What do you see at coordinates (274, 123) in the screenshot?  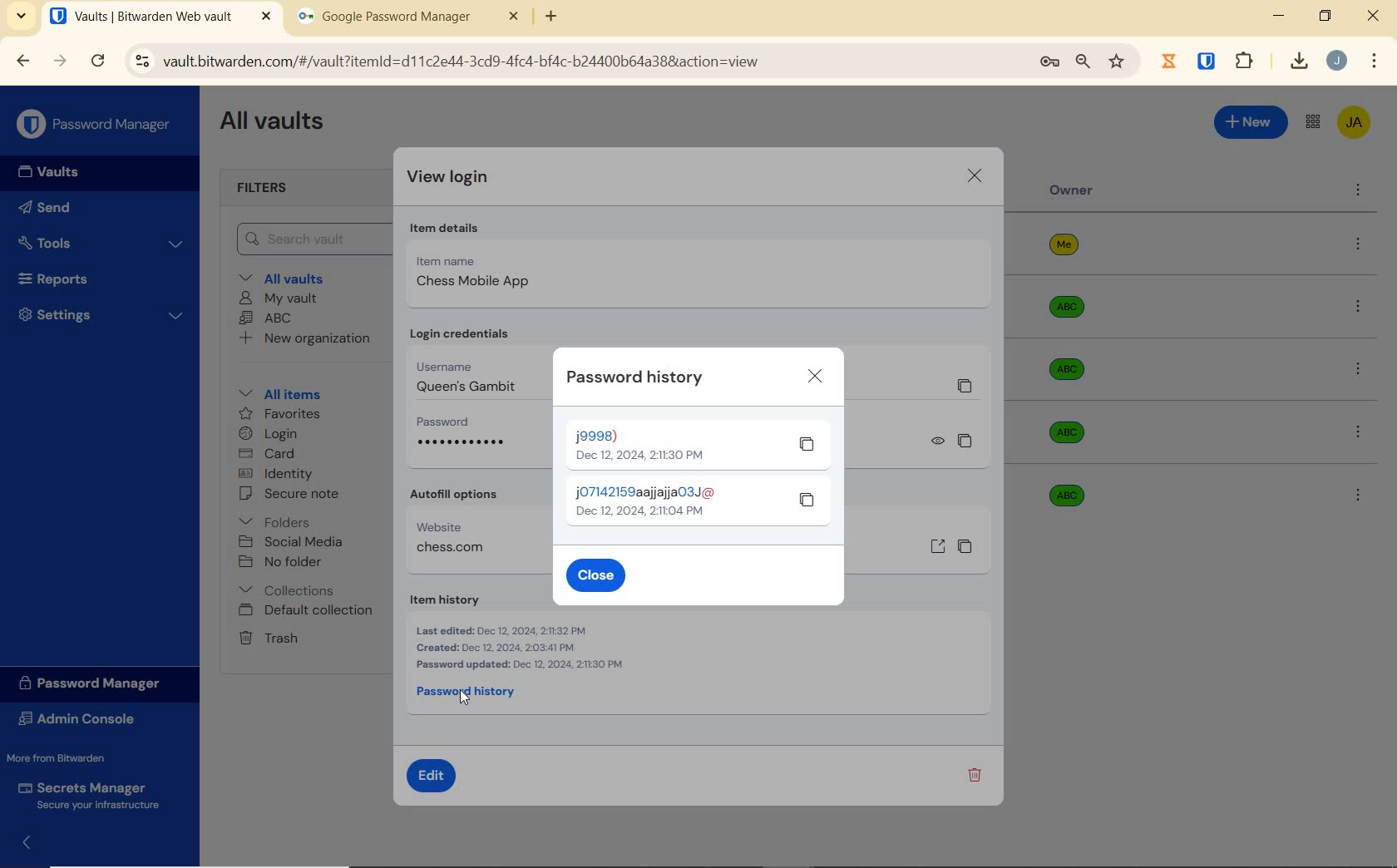 I see `All Vaults` at bounding box center [274, 123].